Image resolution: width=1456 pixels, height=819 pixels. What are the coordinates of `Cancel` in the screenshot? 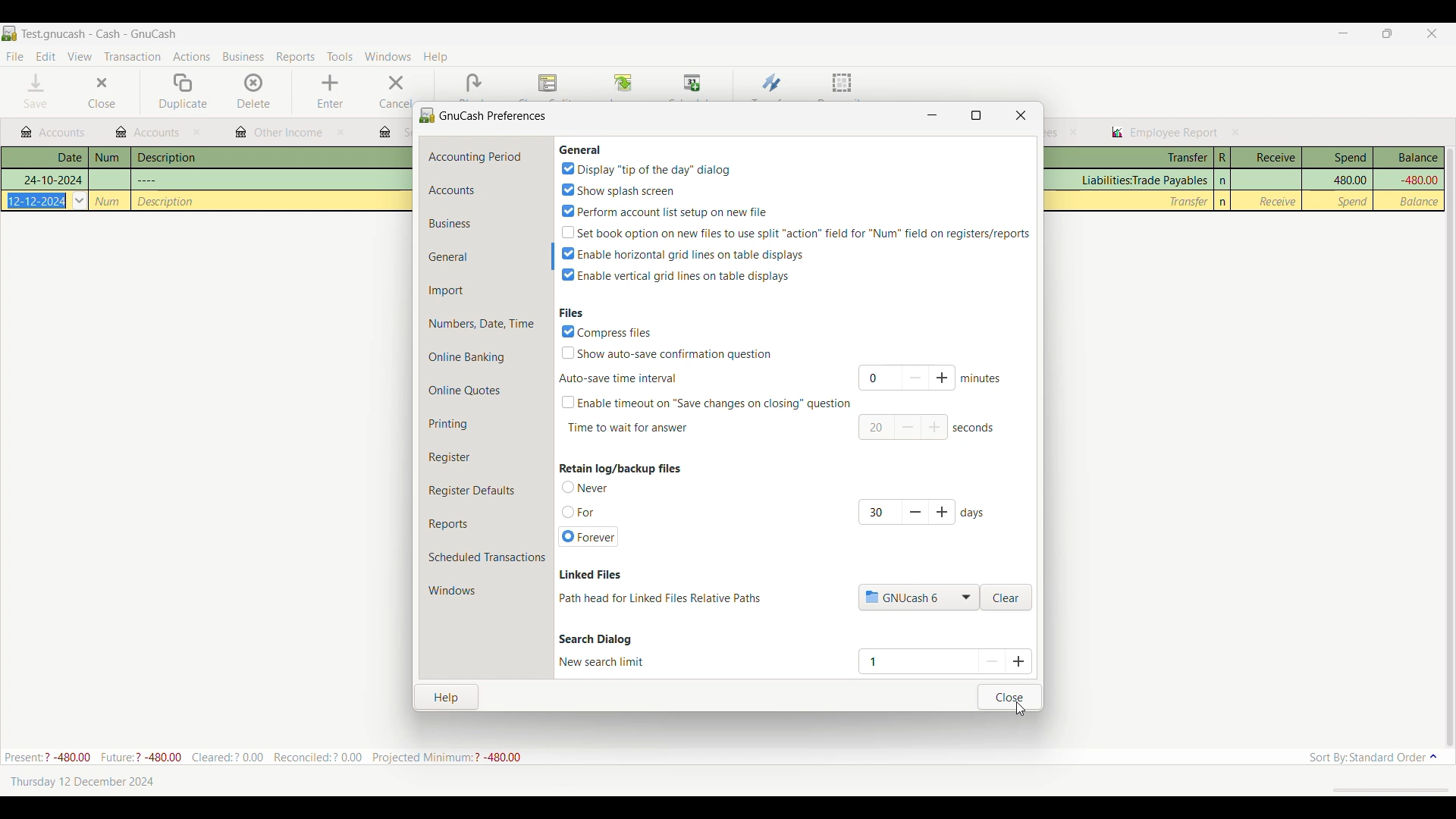 It's located at (394, 91).